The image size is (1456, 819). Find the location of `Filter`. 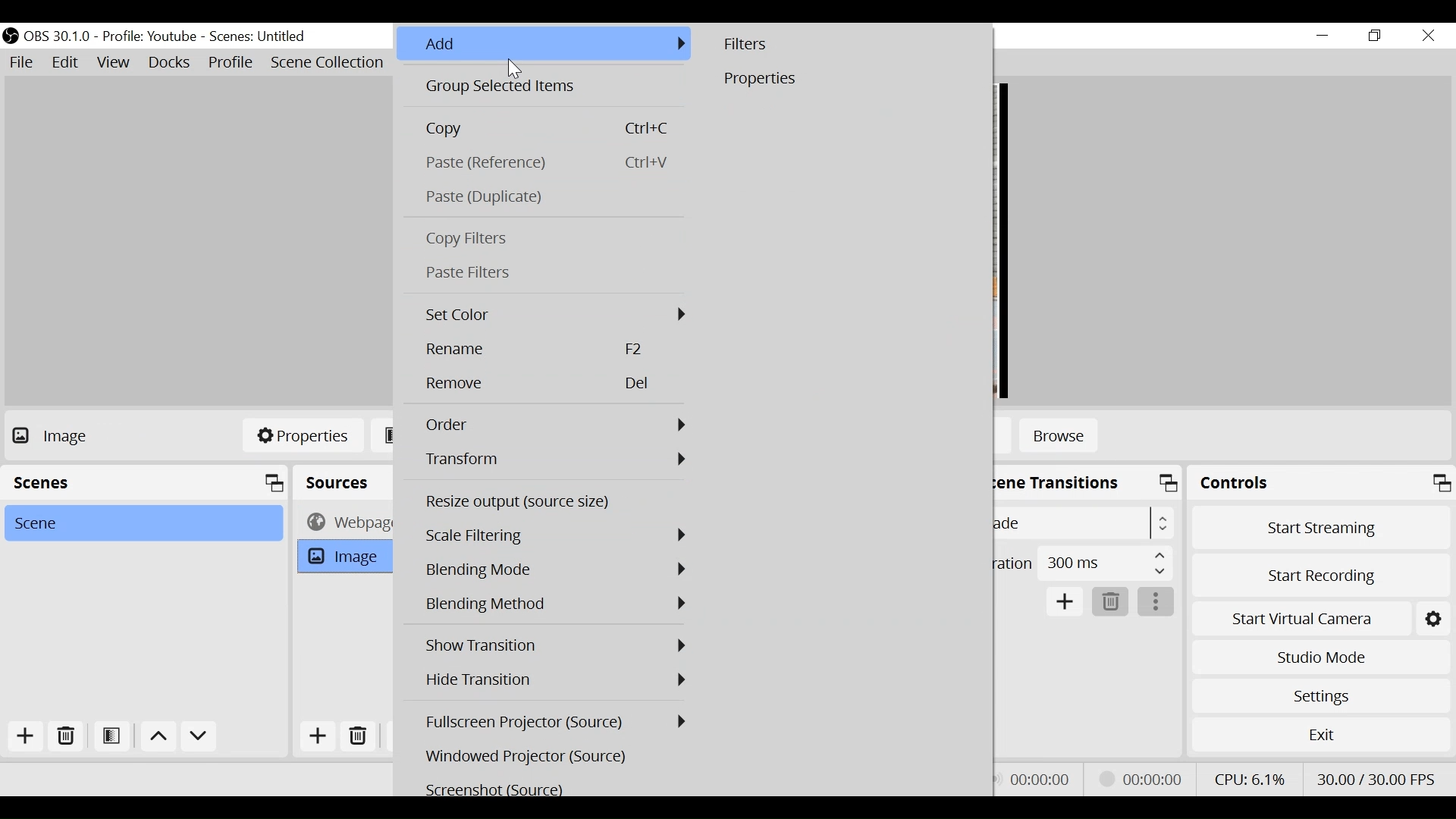

Filter is located at coordinates (847, 45).